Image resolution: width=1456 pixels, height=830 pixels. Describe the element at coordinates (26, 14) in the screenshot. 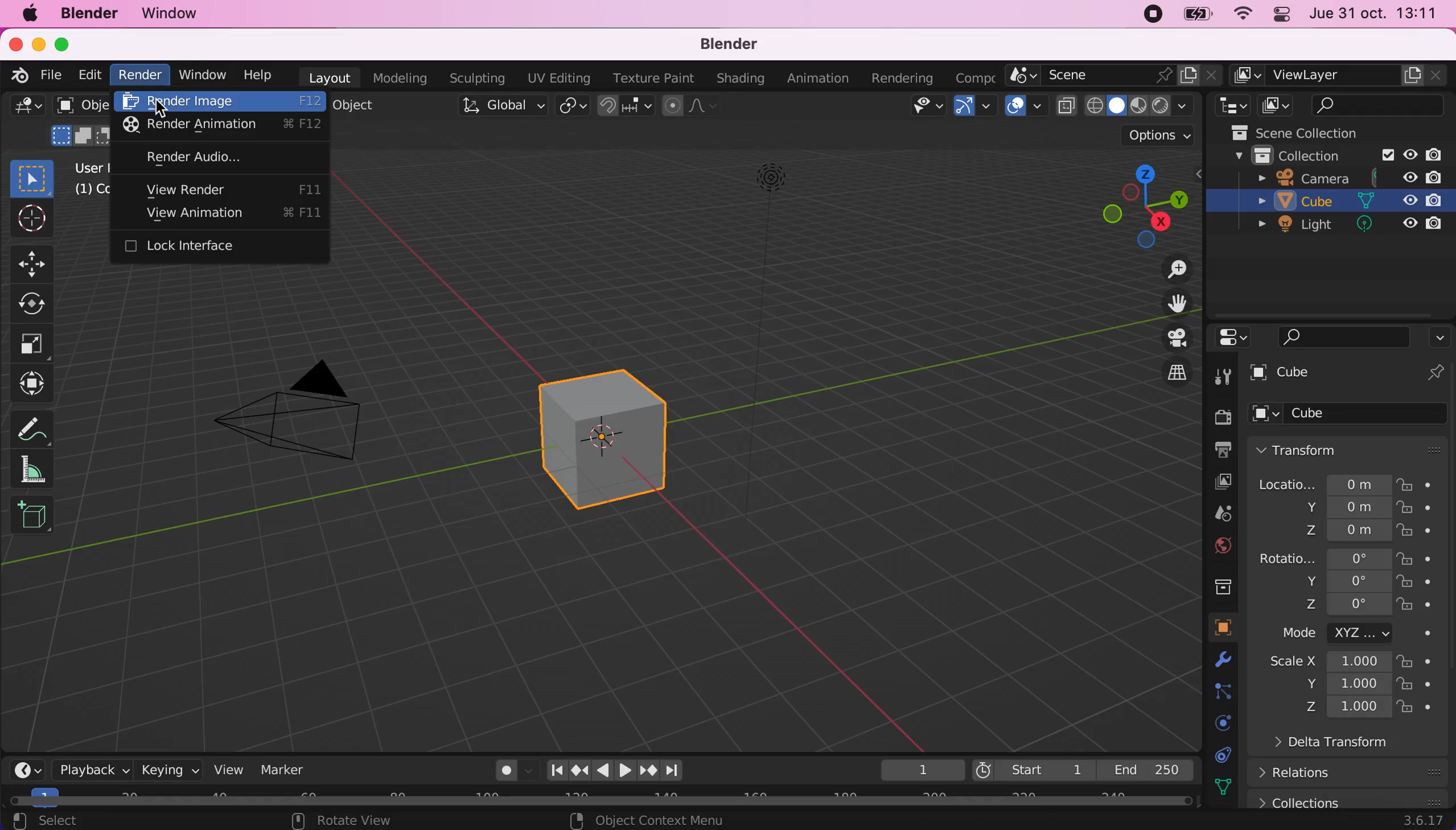

I see `mac logo` at that location.